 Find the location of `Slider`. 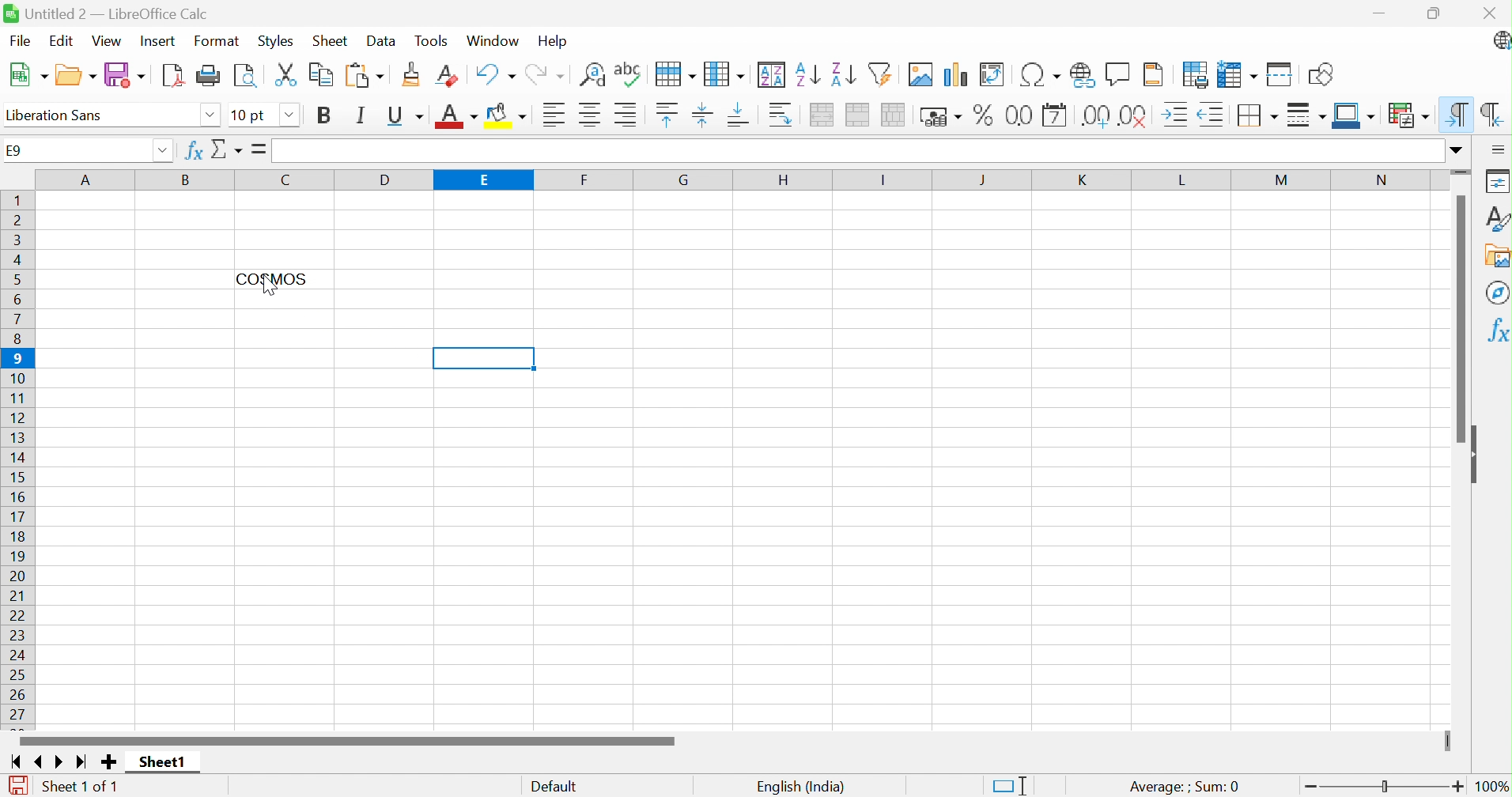

Slider is located at coordinates (1462, 170).